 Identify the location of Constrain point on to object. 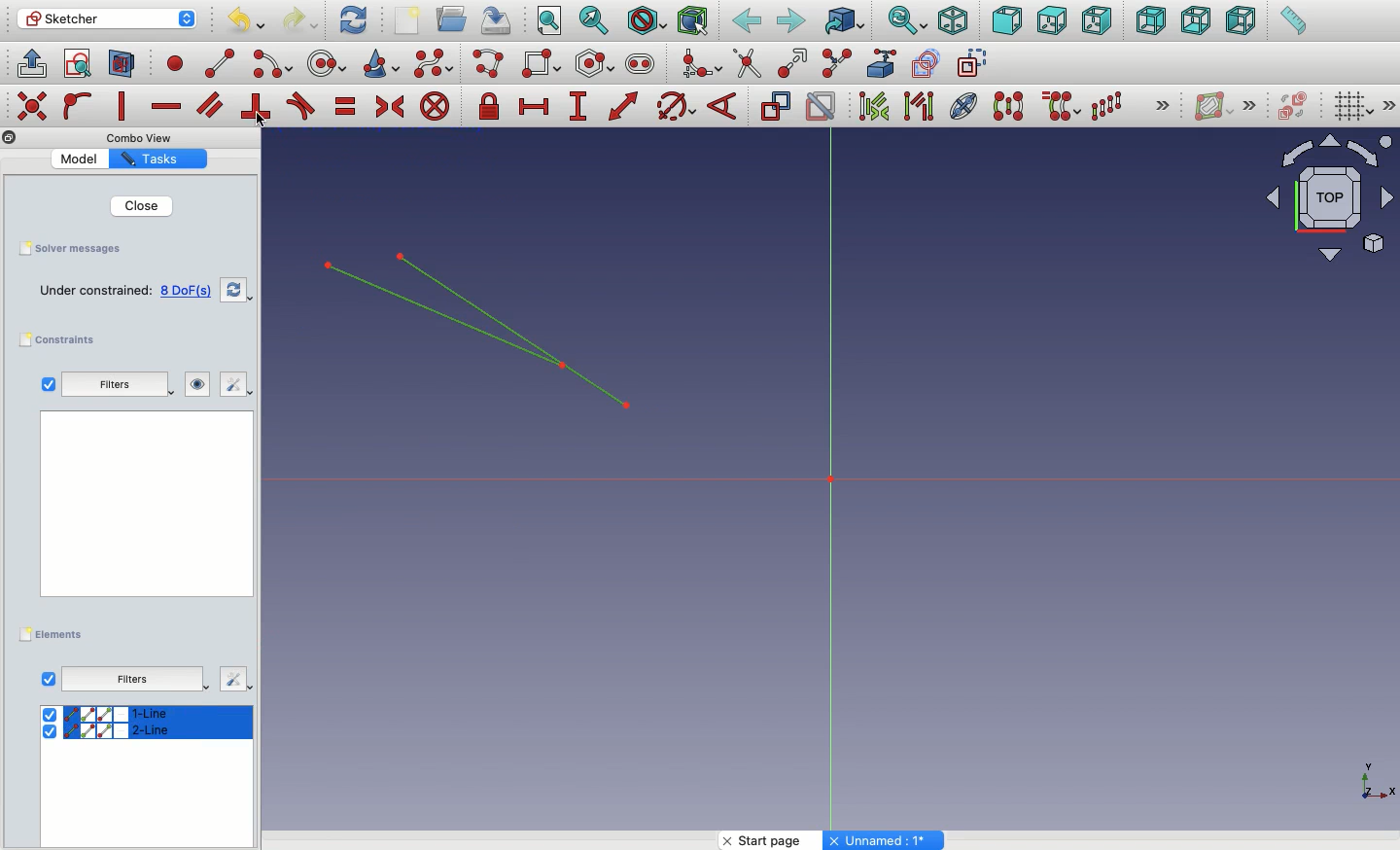
(78, 108).